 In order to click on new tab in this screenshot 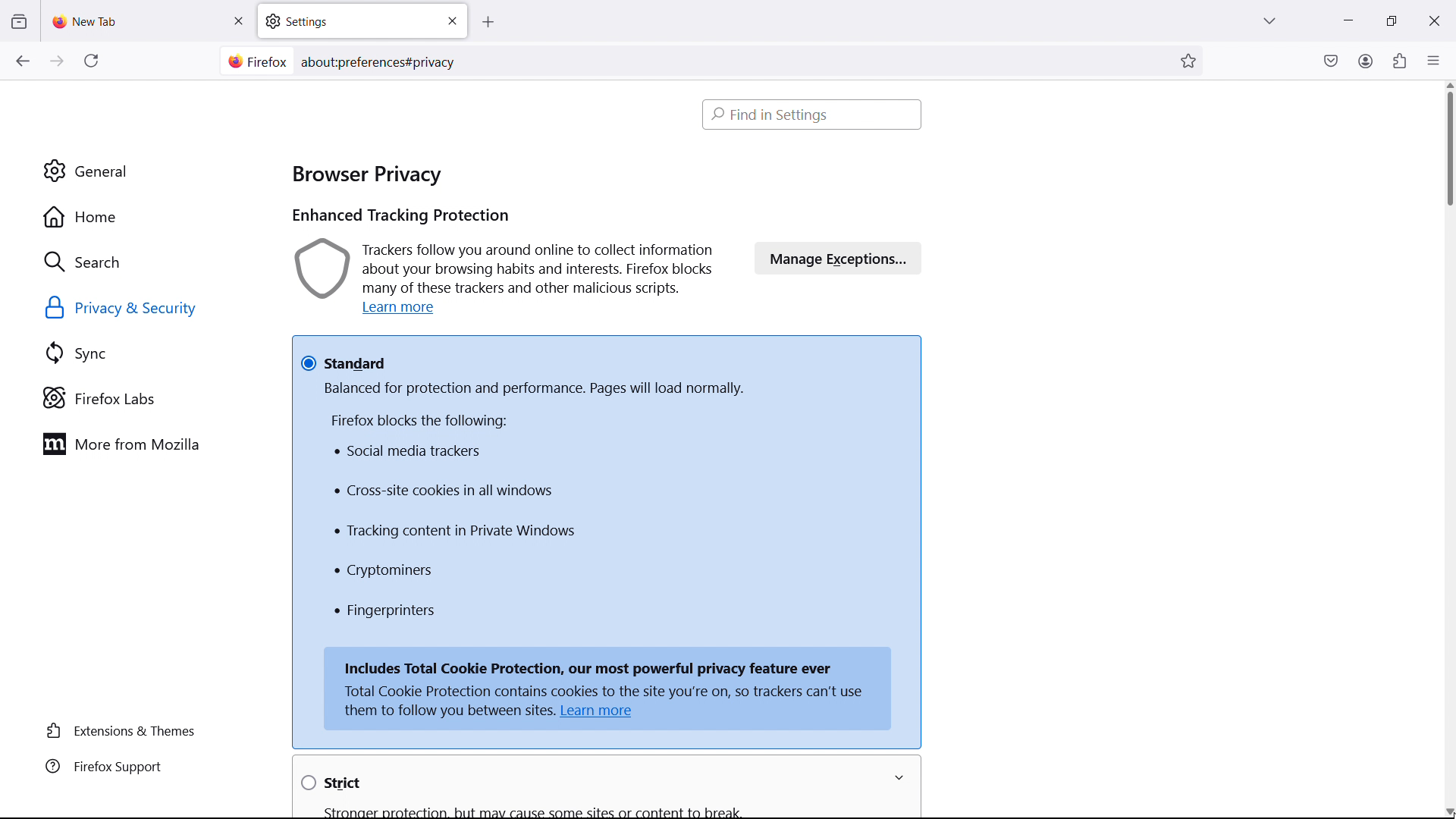, I will do `click(87, 21)`.